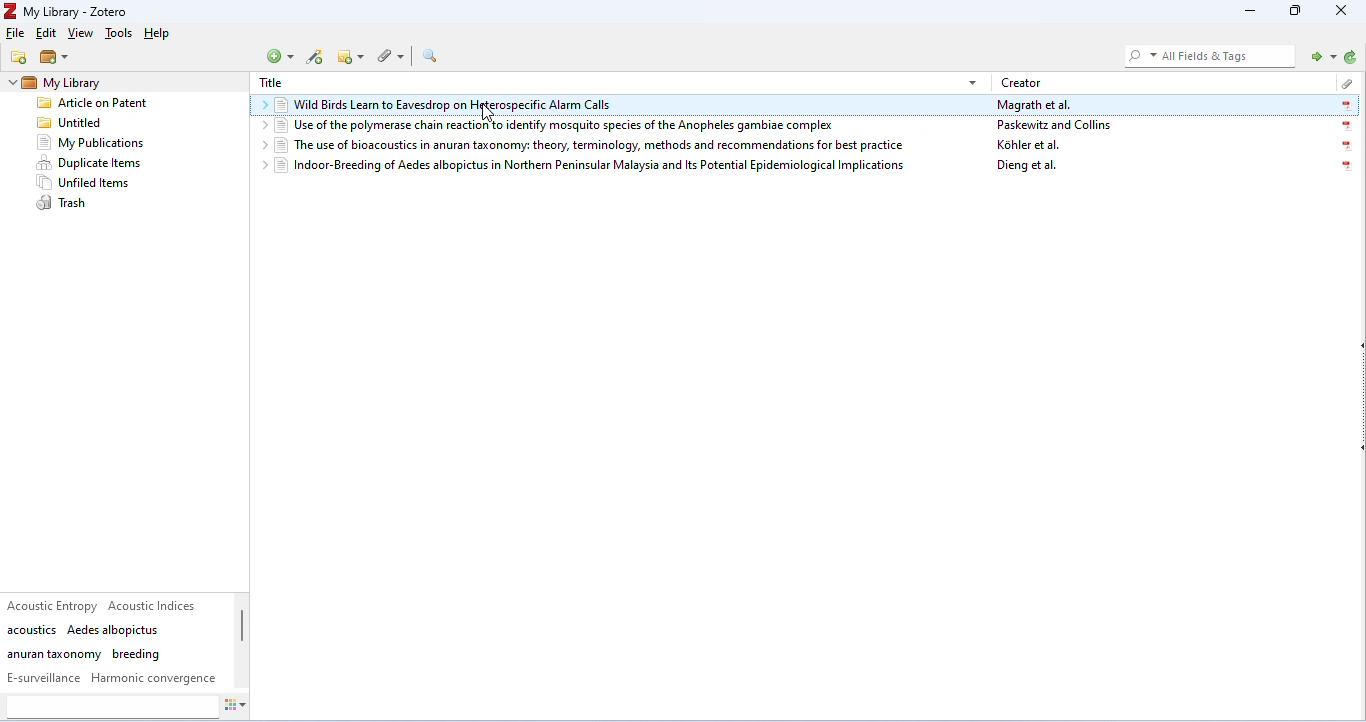 This screenshot has height=722, width=1366. I want to click on My Library - Zotero, so click(69, 12).